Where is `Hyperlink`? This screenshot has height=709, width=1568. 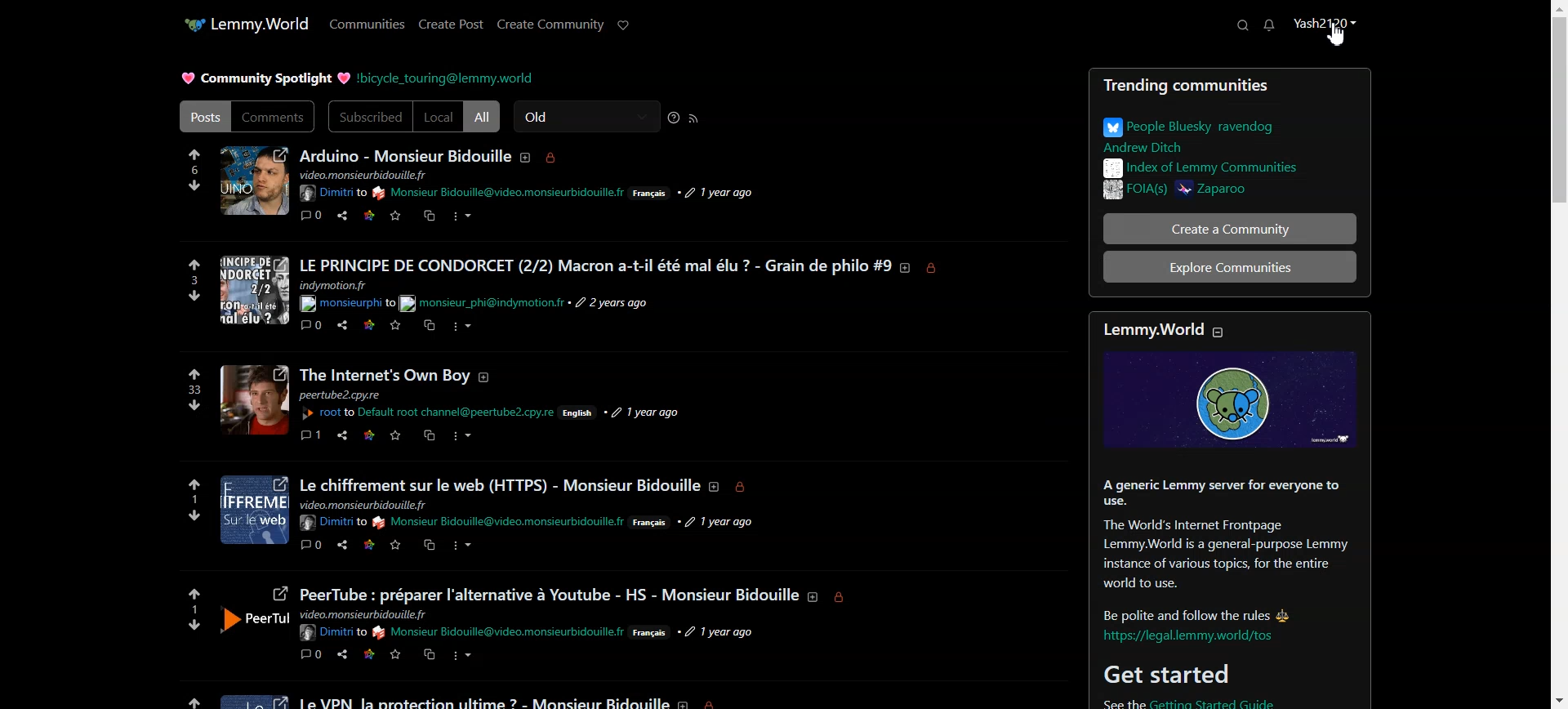 Hyperlink is located at coordinates (445, 78).